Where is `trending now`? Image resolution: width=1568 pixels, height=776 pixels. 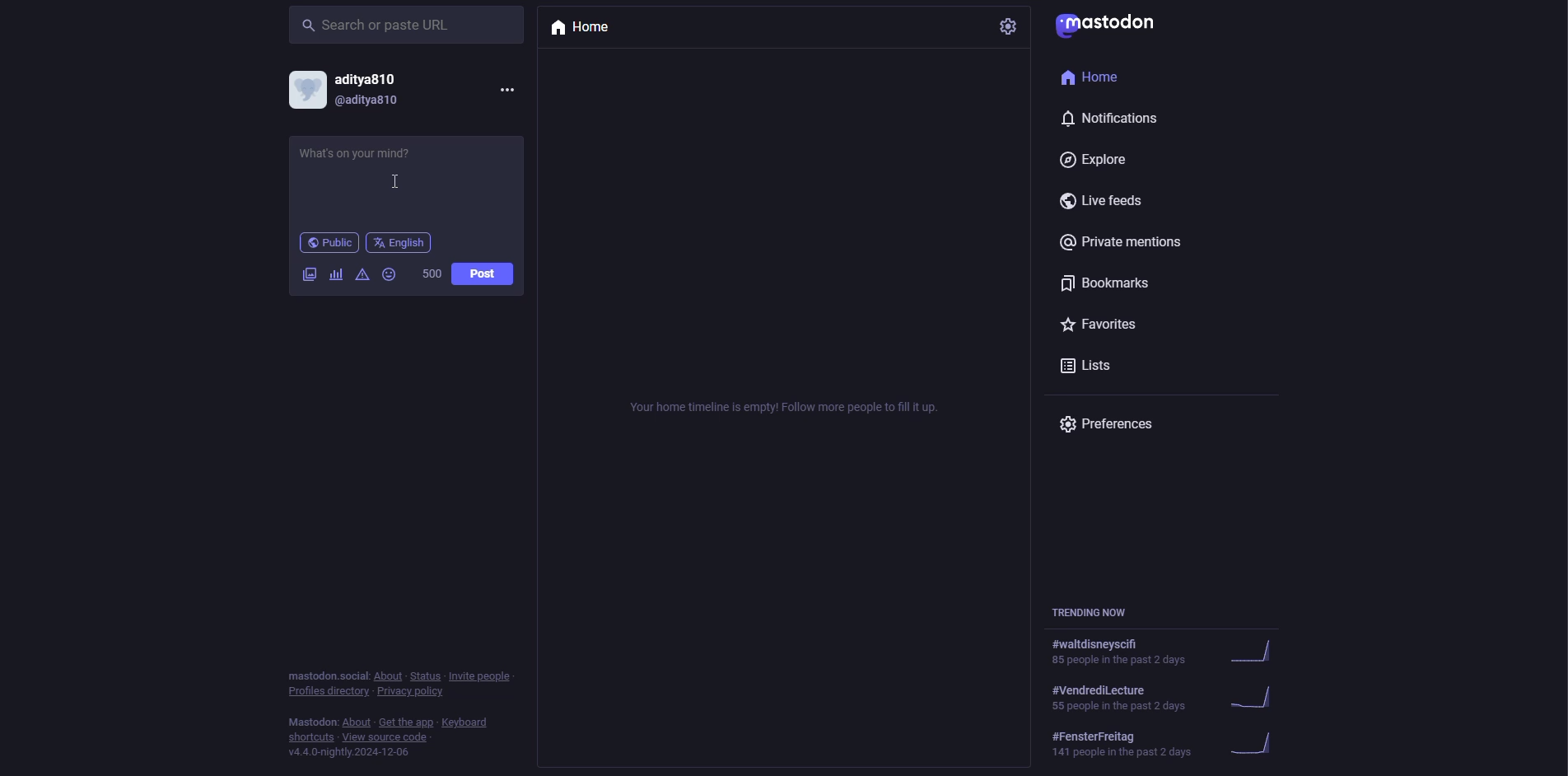 trending now is located at coordinates (1169, 695).